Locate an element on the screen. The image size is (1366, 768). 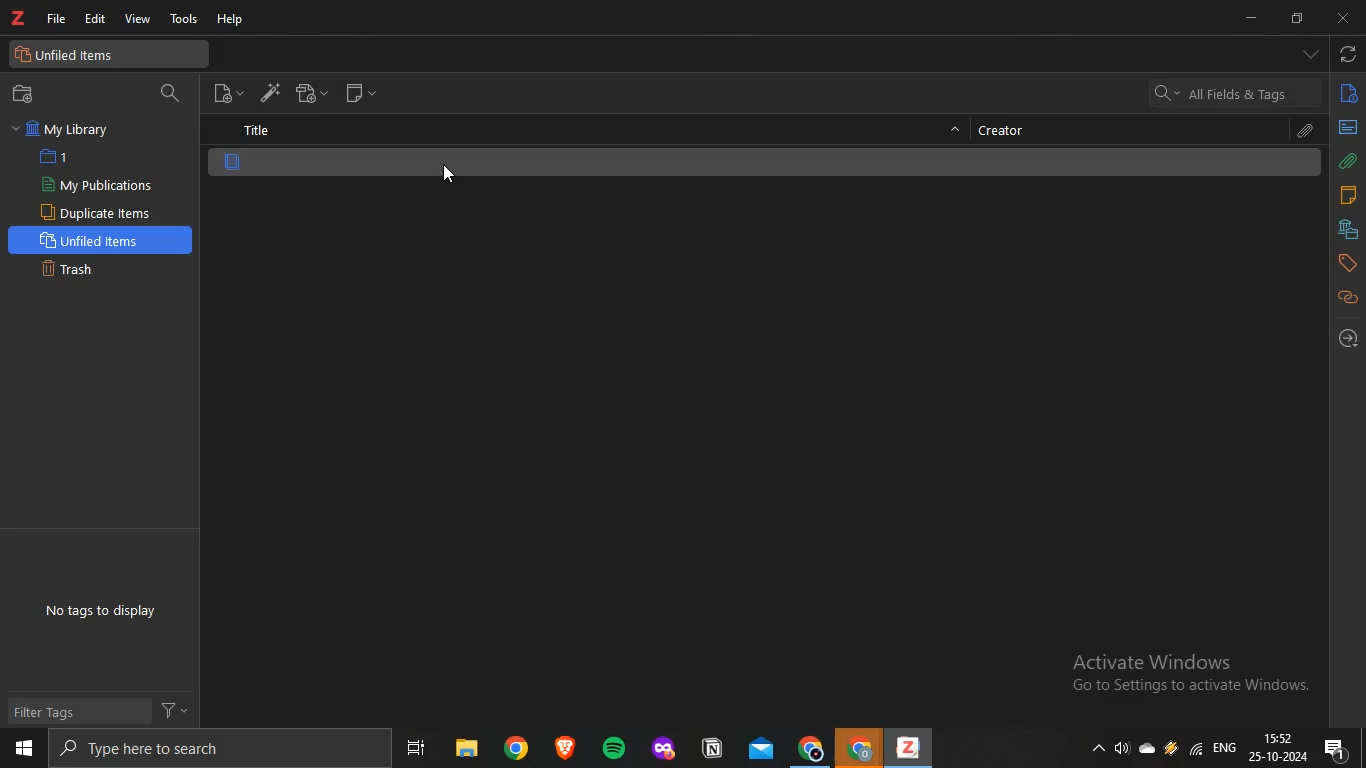
task view is located at coordinates (415, 748).